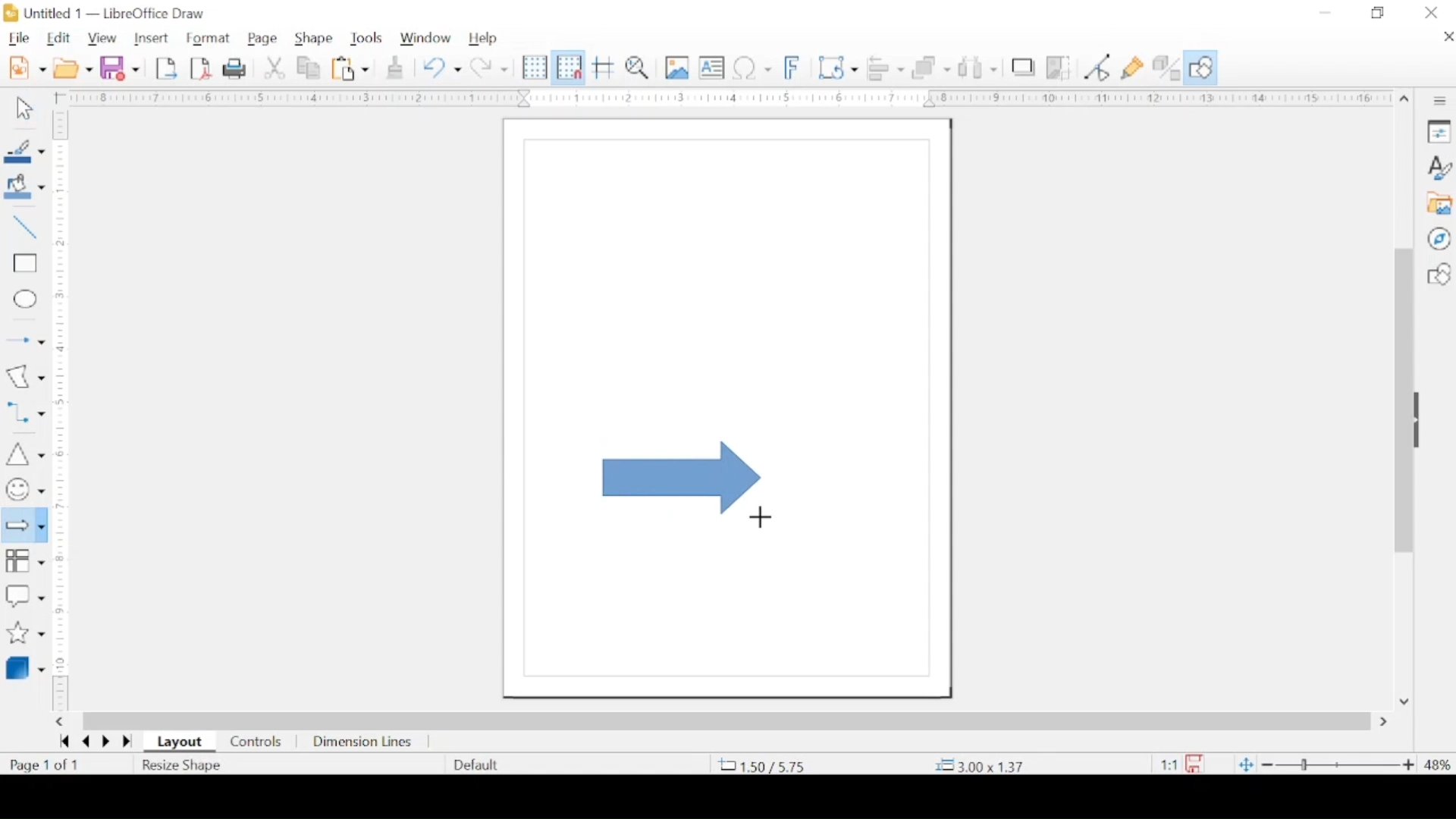 The width and height of the screenshot is (1456, 819). What do you see at coordinates (263, 39) in the screenshot?
I see `page` at bounding box center [263, 39].